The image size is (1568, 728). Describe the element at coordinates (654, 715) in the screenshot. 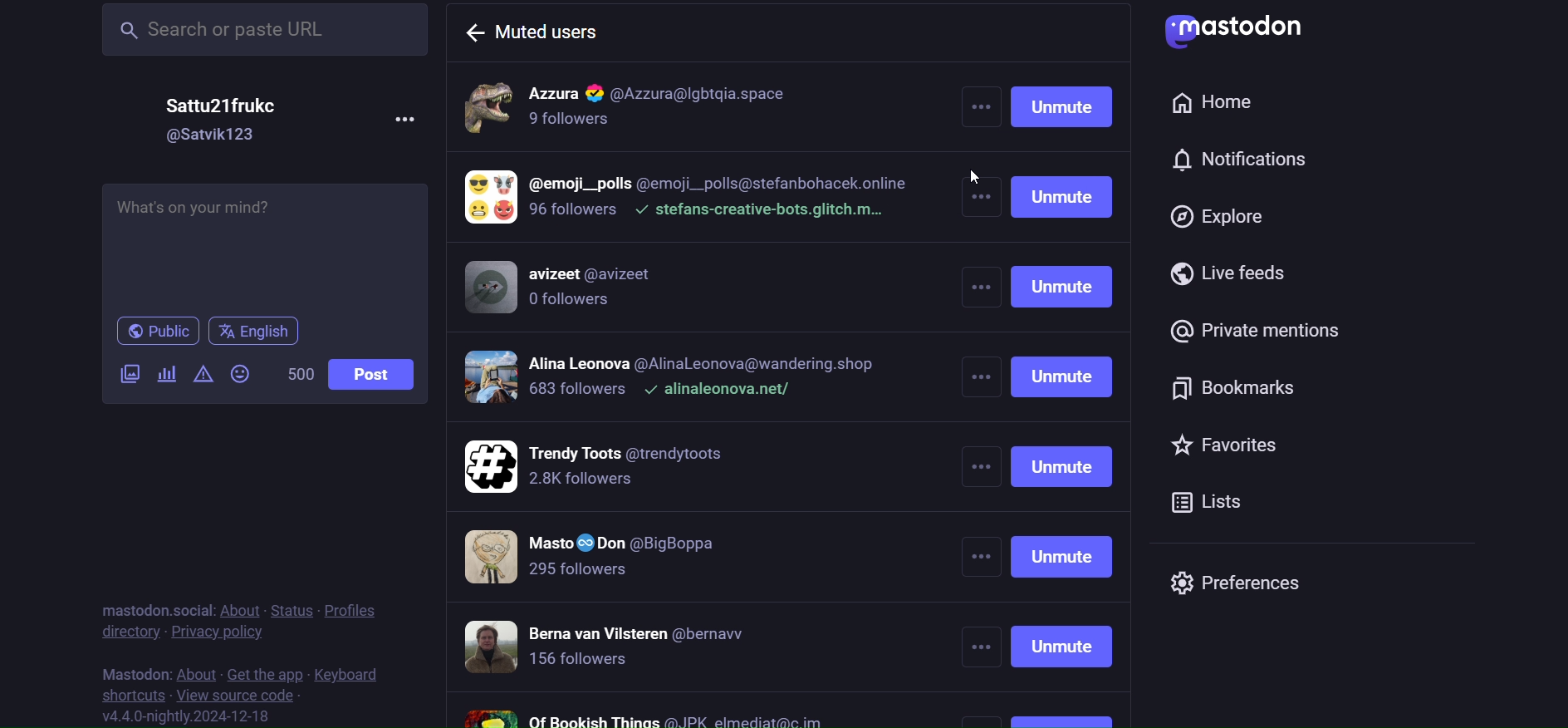

I see `muted accounts 8` at that location.